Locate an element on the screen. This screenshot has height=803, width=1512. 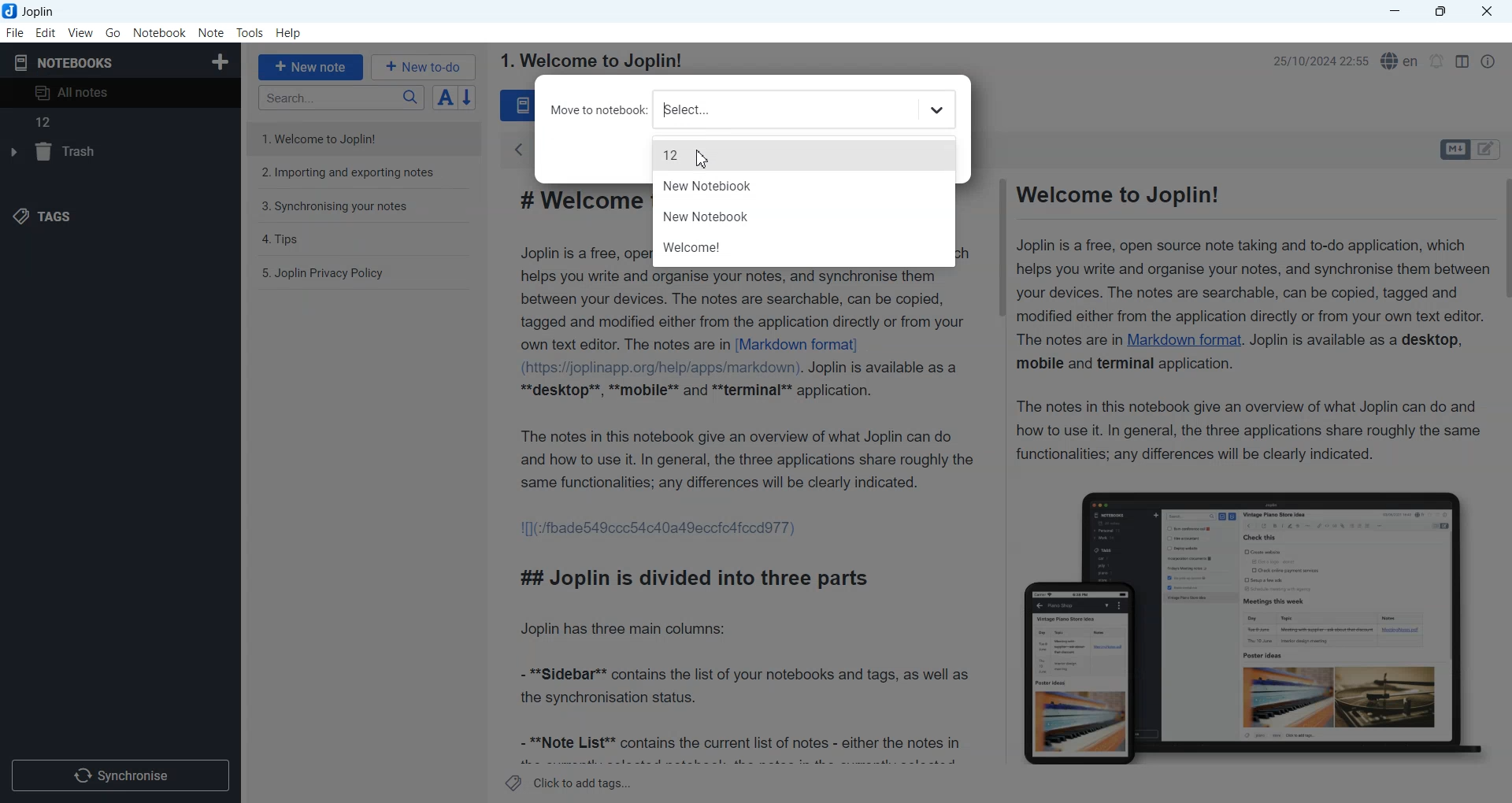
Note is located at coordinates (210, 33).